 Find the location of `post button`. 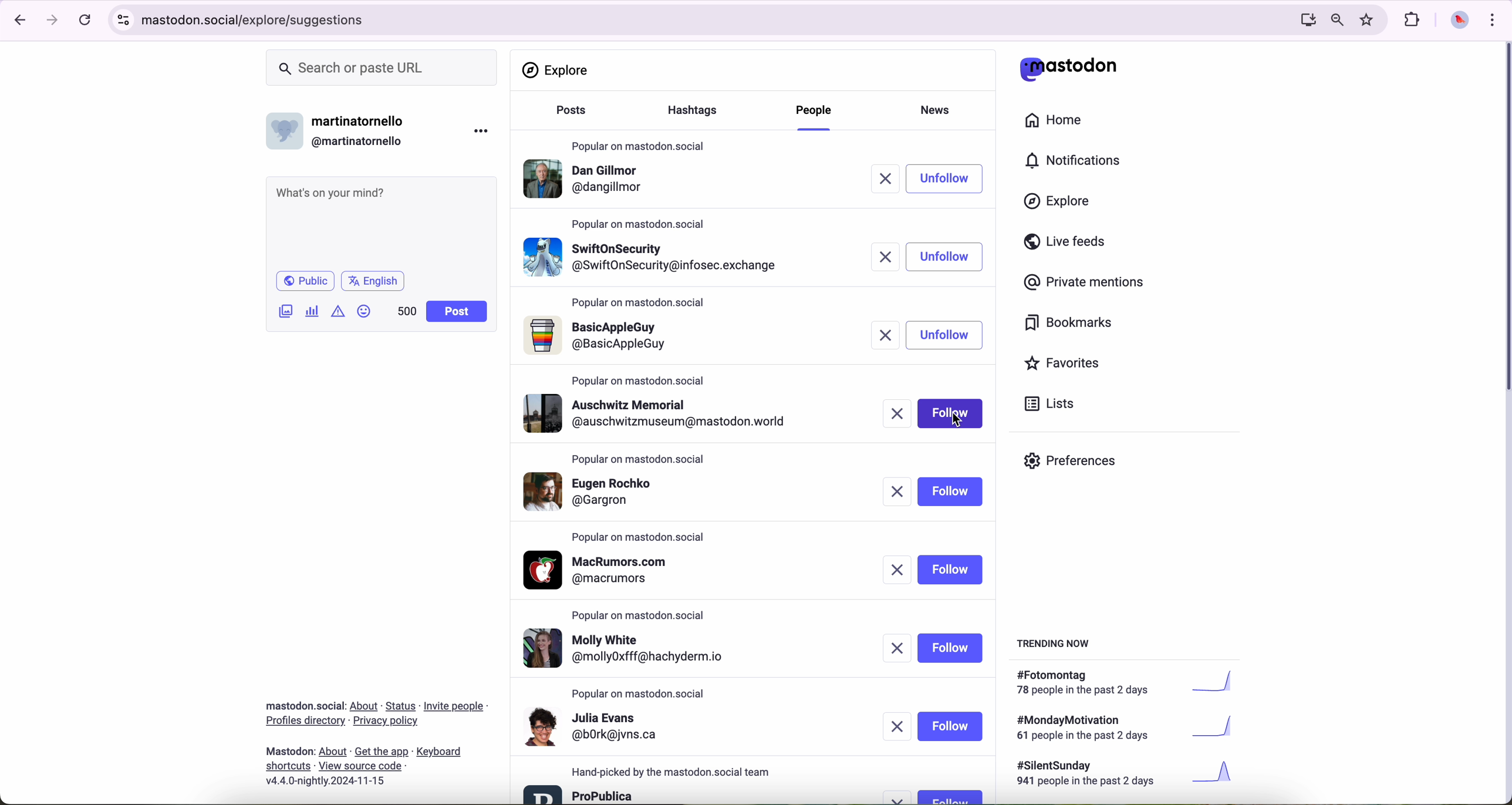

post button is located at coordinates (457, 312).